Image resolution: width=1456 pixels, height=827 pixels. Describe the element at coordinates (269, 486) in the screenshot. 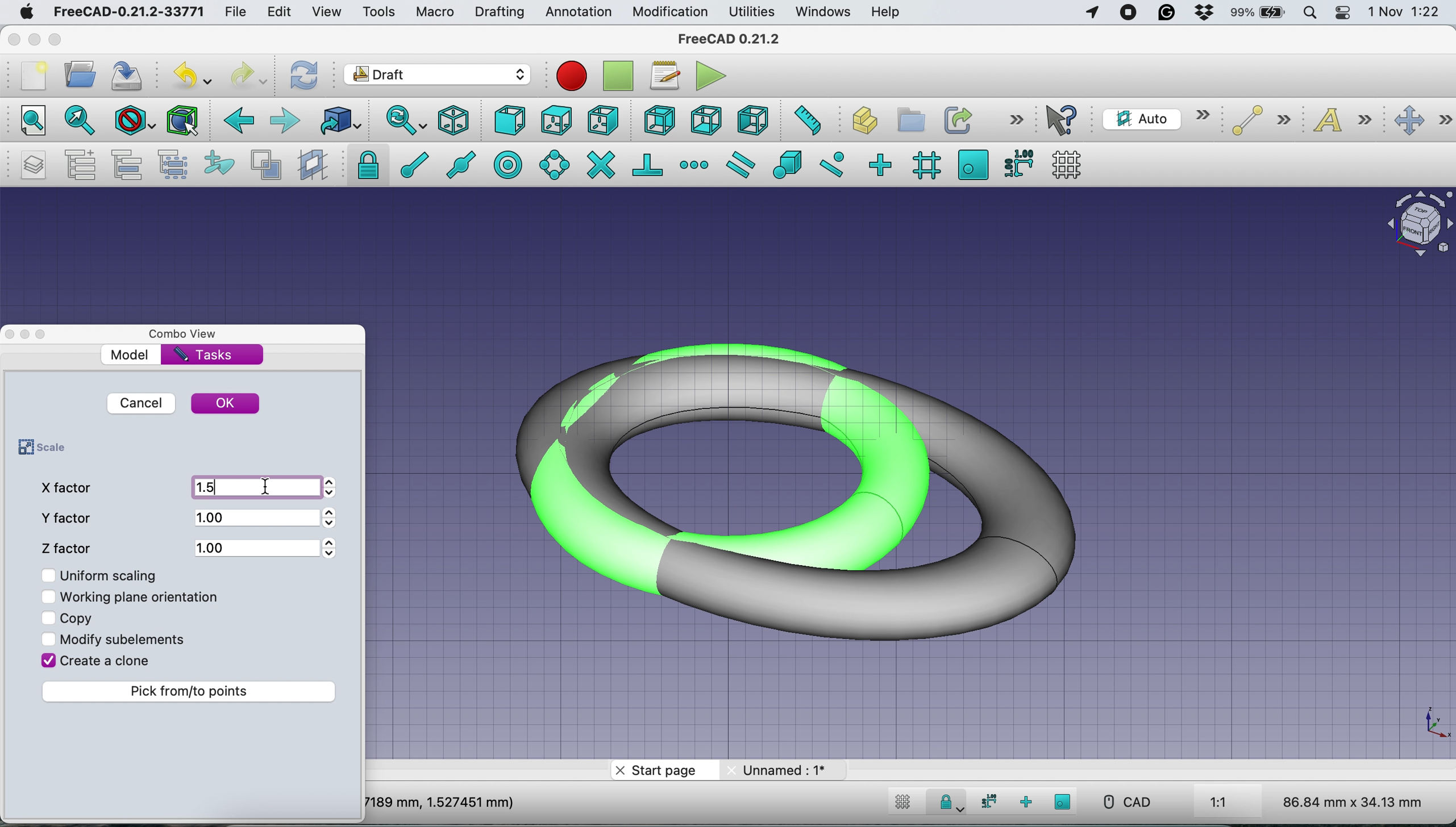

I see `cursor` at that location.